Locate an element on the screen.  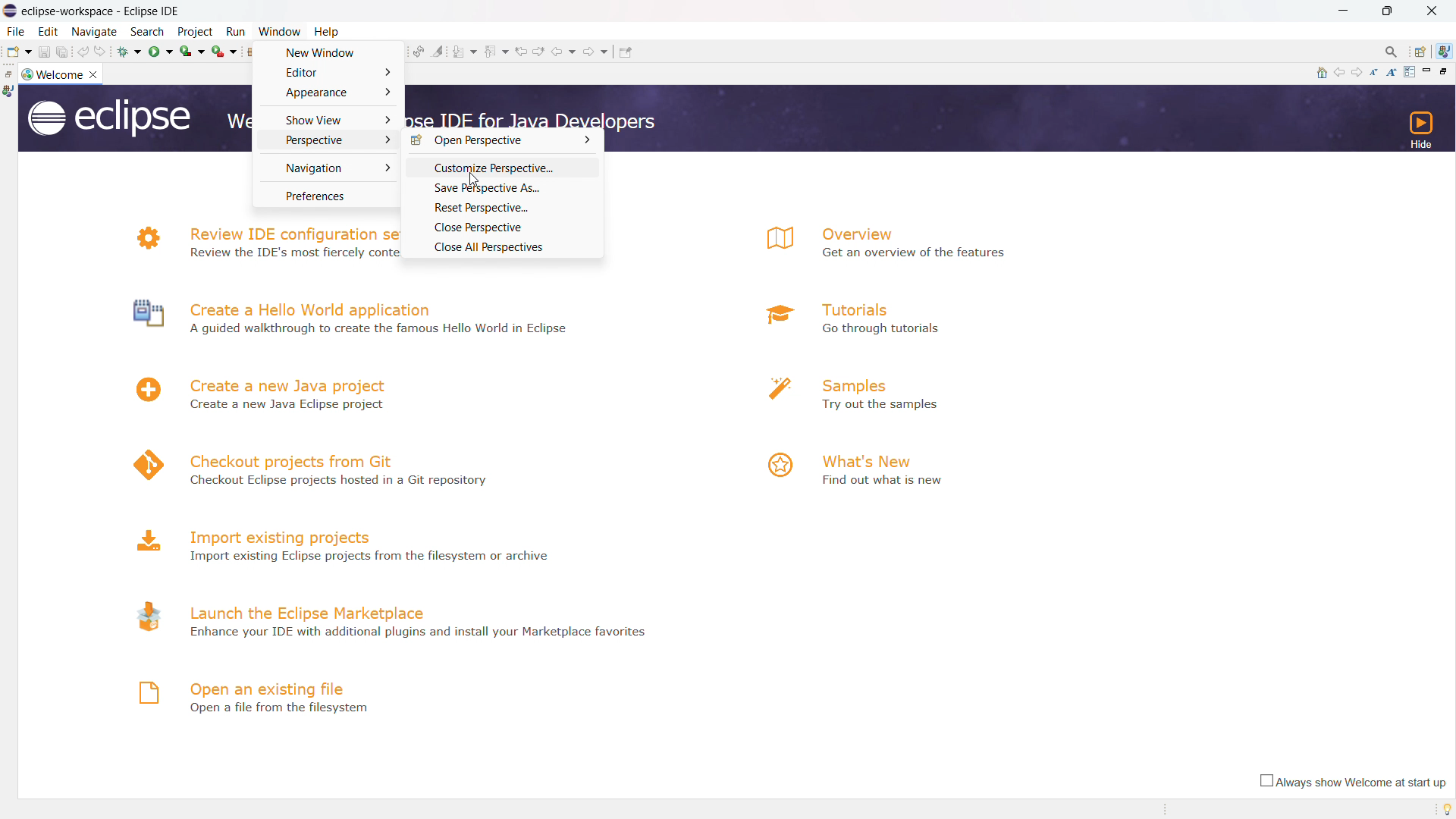
open an existing file is located at coordinates (268, 688).